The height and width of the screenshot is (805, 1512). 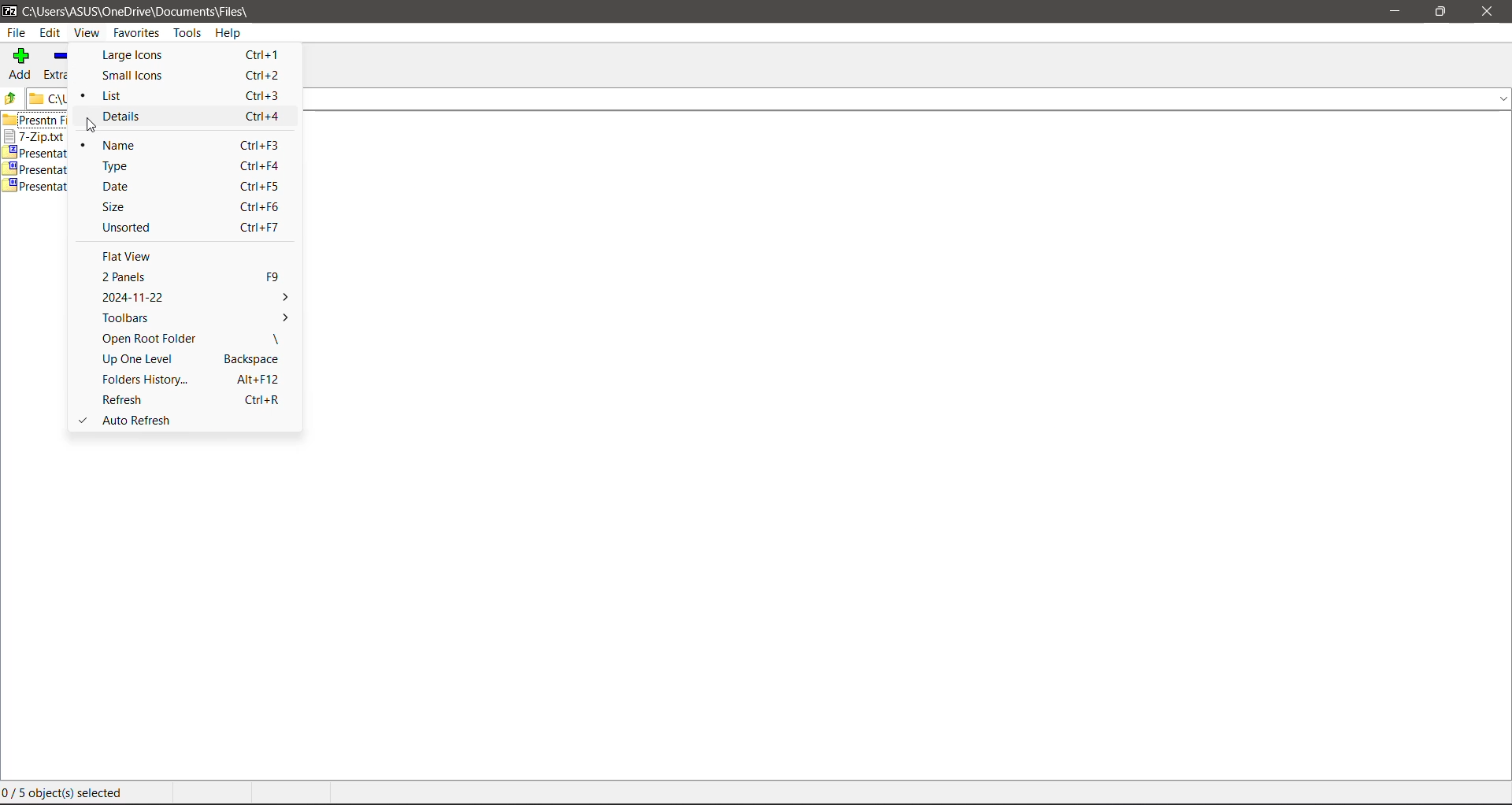 I want to click on Edit, so click(x=53, y=34).